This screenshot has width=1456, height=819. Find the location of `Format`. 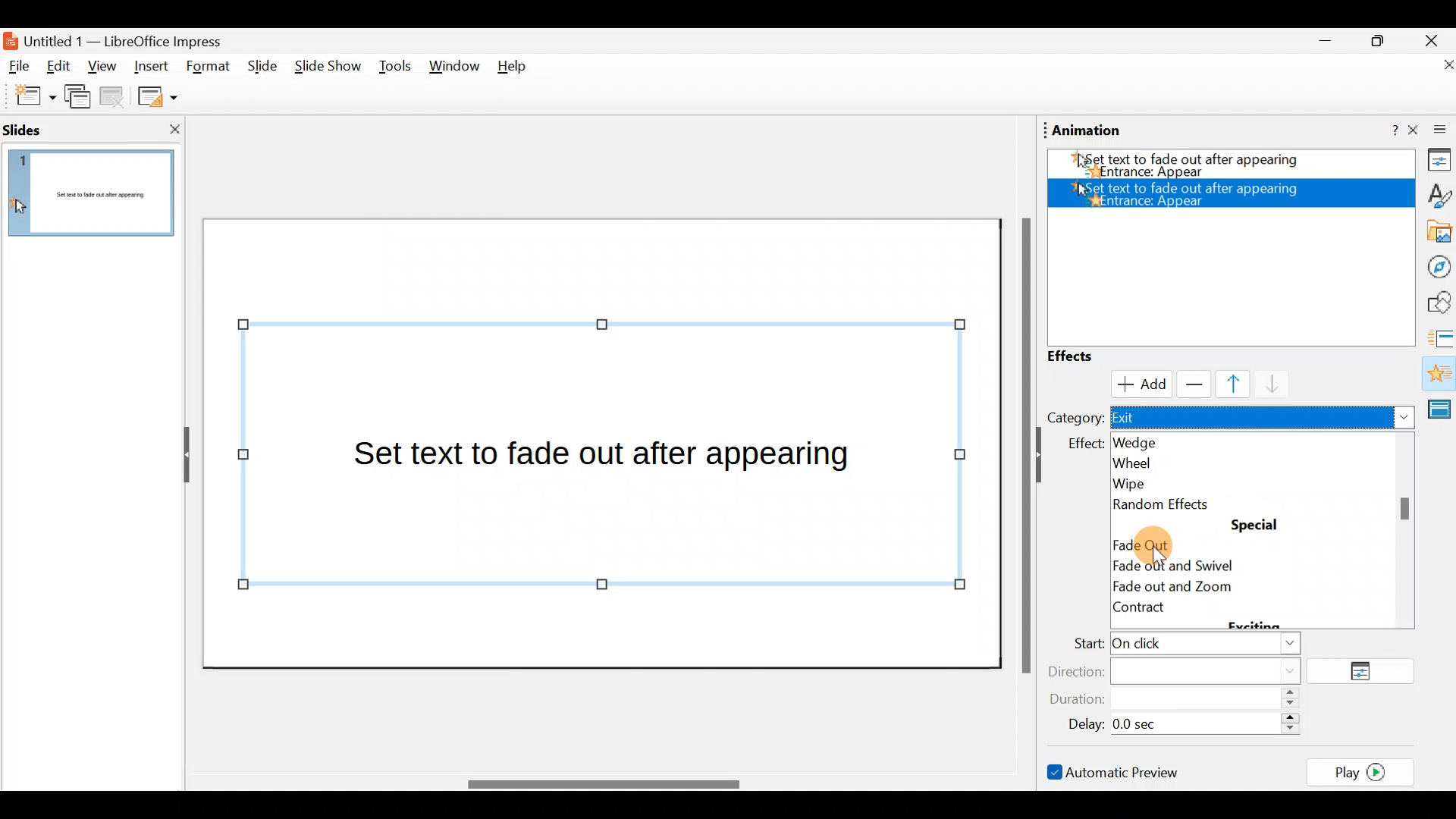

Format is located at coordinates (209, 67).